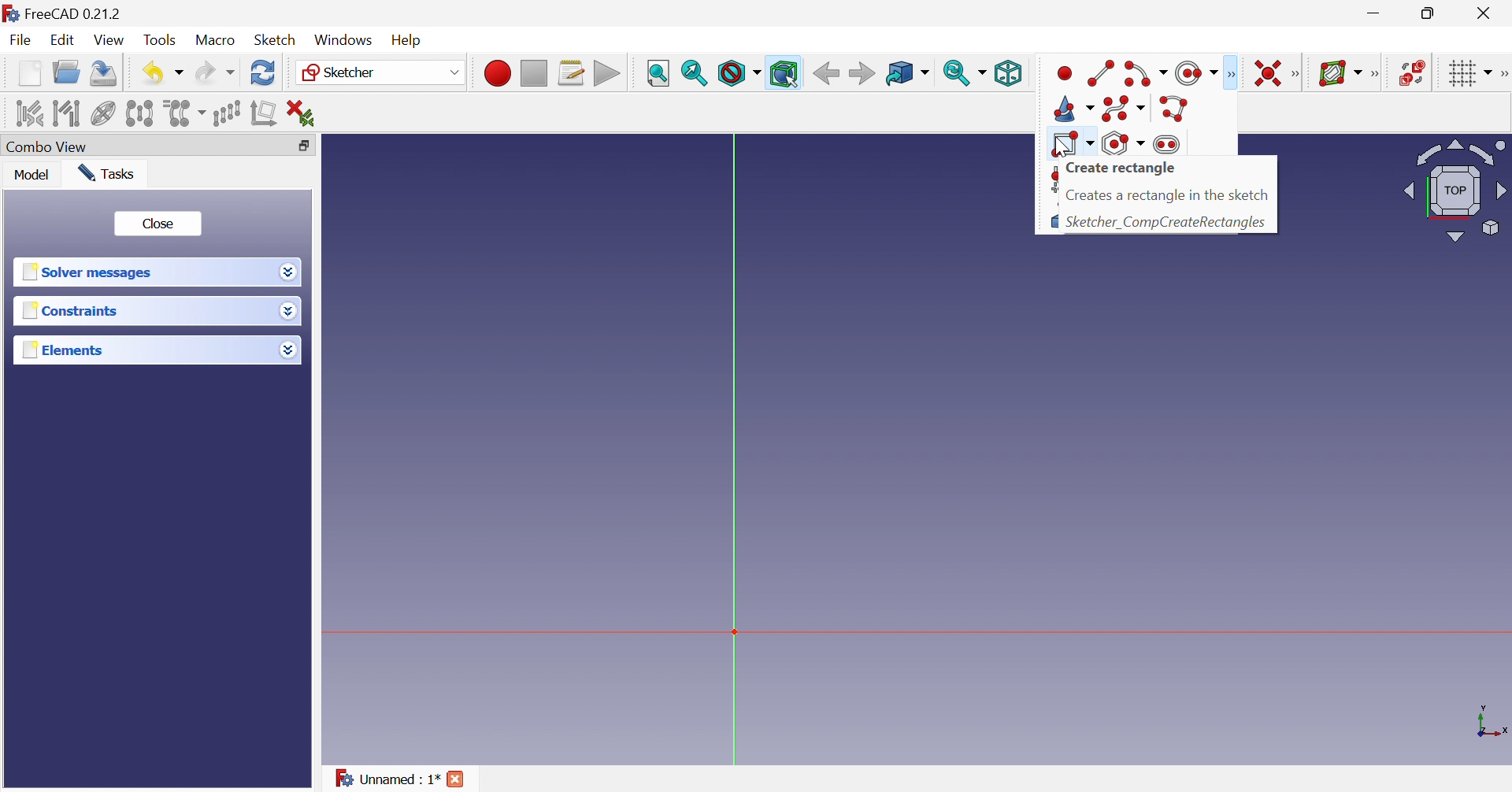  What do you see at coordinates (1073, 109) in the screenshot?
I see `Create conic` at bounding box center [1073, 109].